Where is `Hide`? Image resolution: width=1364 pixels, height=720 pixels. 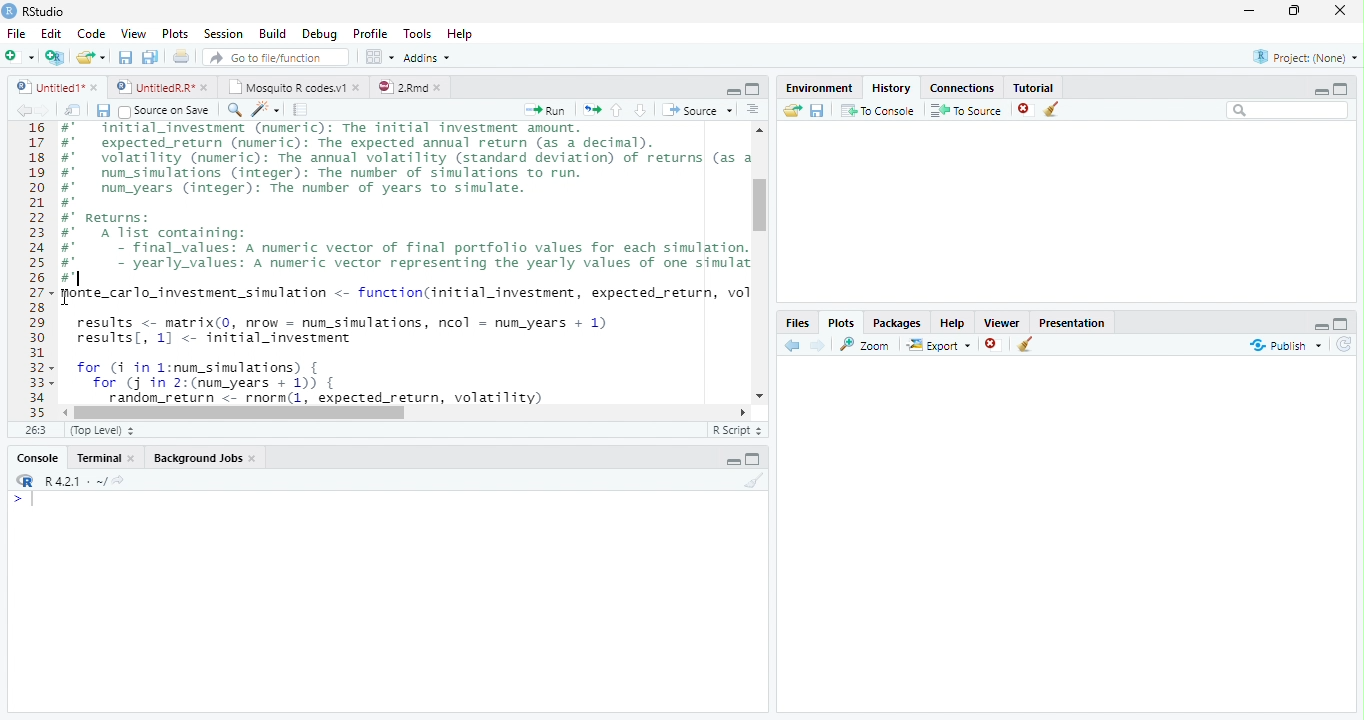
Hide is located at coordinates (1321, 90).